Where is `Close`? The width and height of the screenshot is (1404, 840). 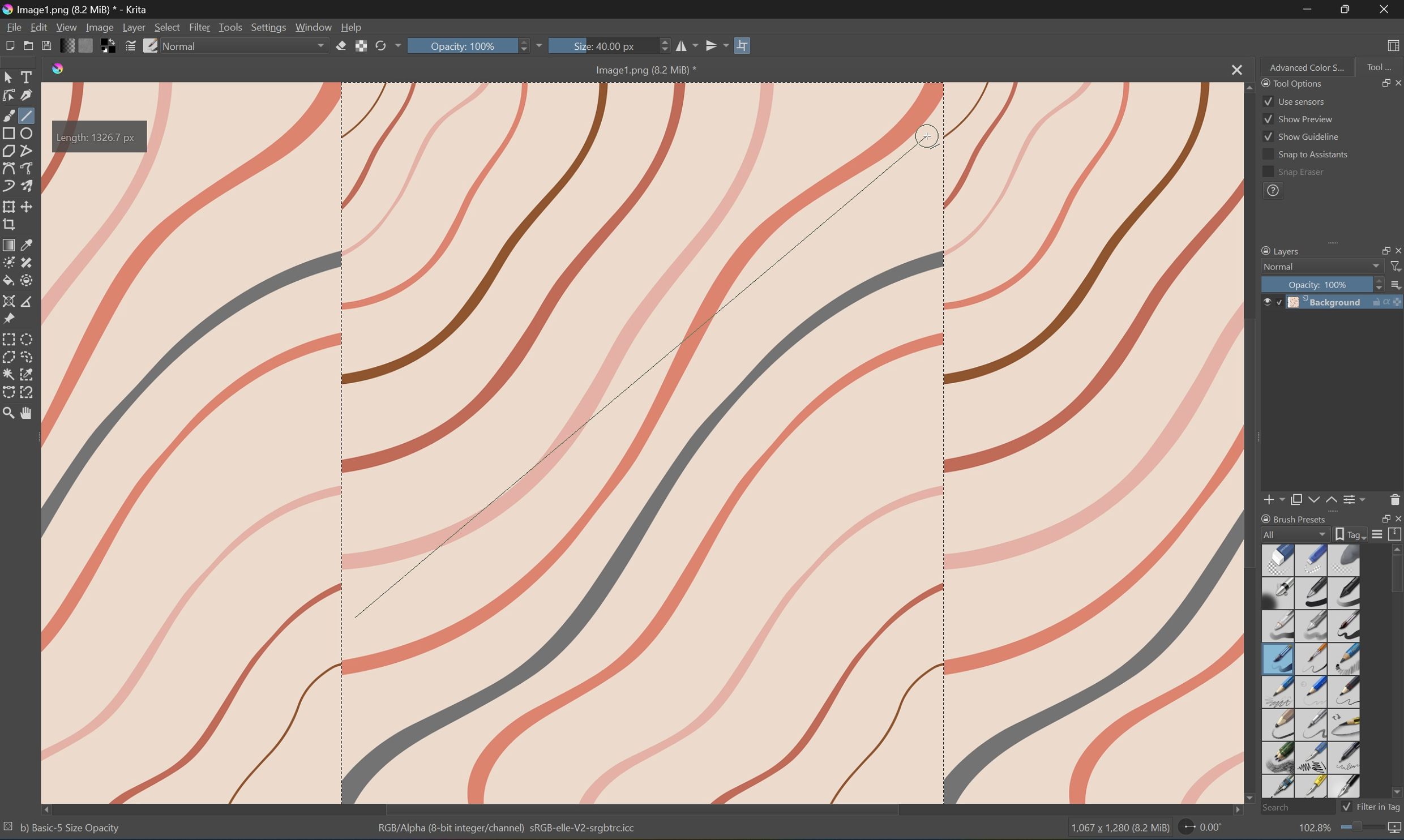 Close is located at coordinates (1395, 83).